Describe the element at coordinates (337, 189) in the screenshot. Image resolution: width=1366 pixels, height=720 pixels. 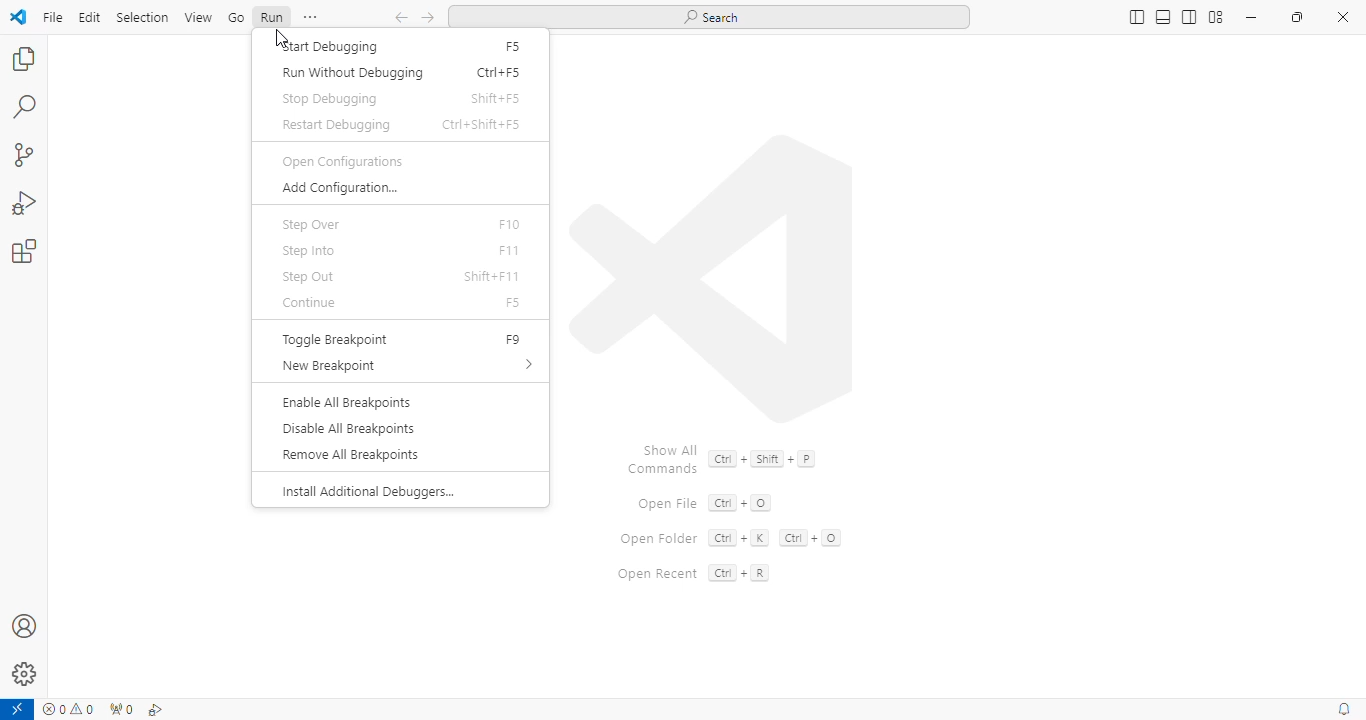
I see `add configuration` at that location.